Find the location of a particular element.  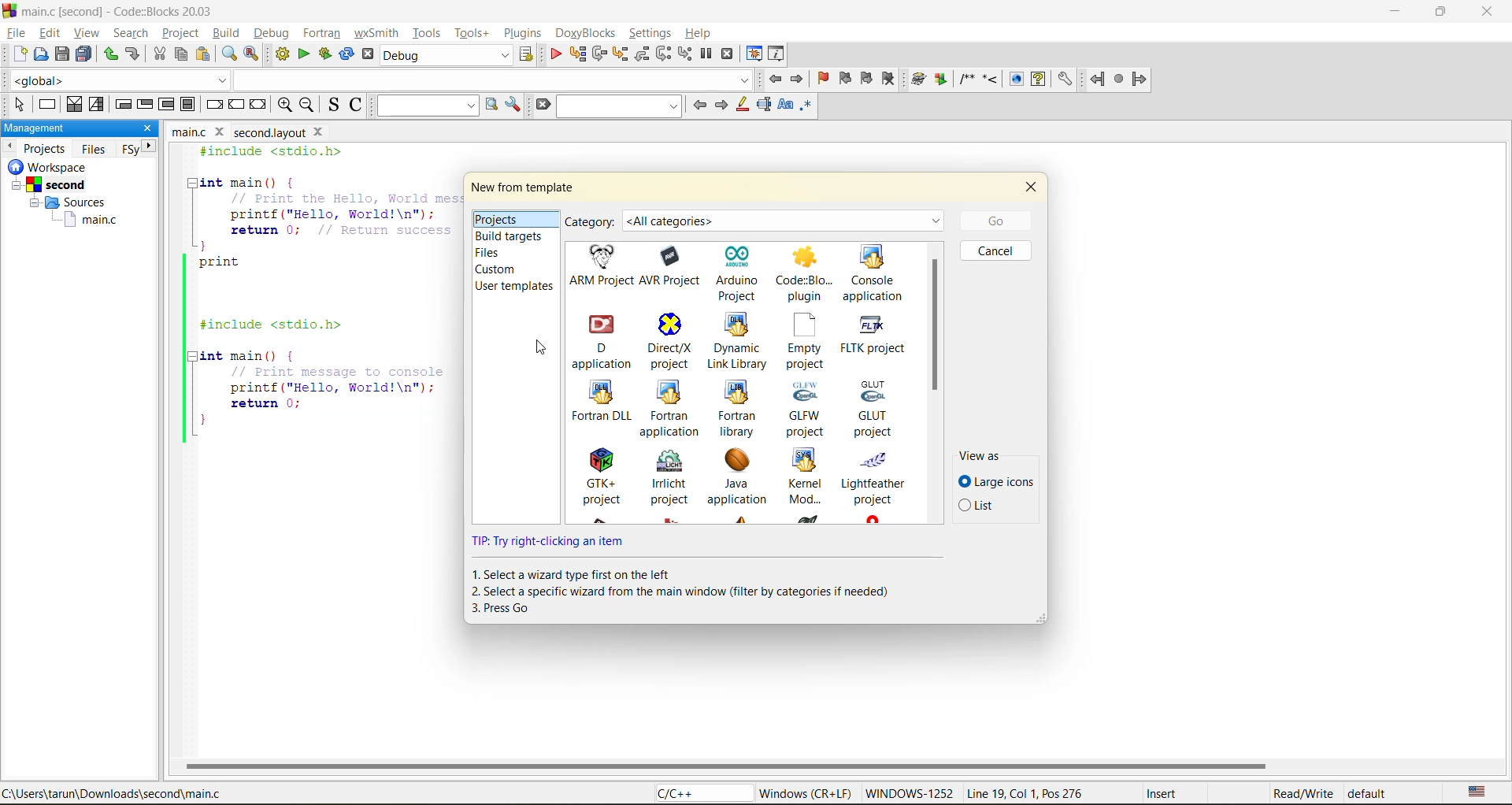

text language is located at coordinates (1477, 793).